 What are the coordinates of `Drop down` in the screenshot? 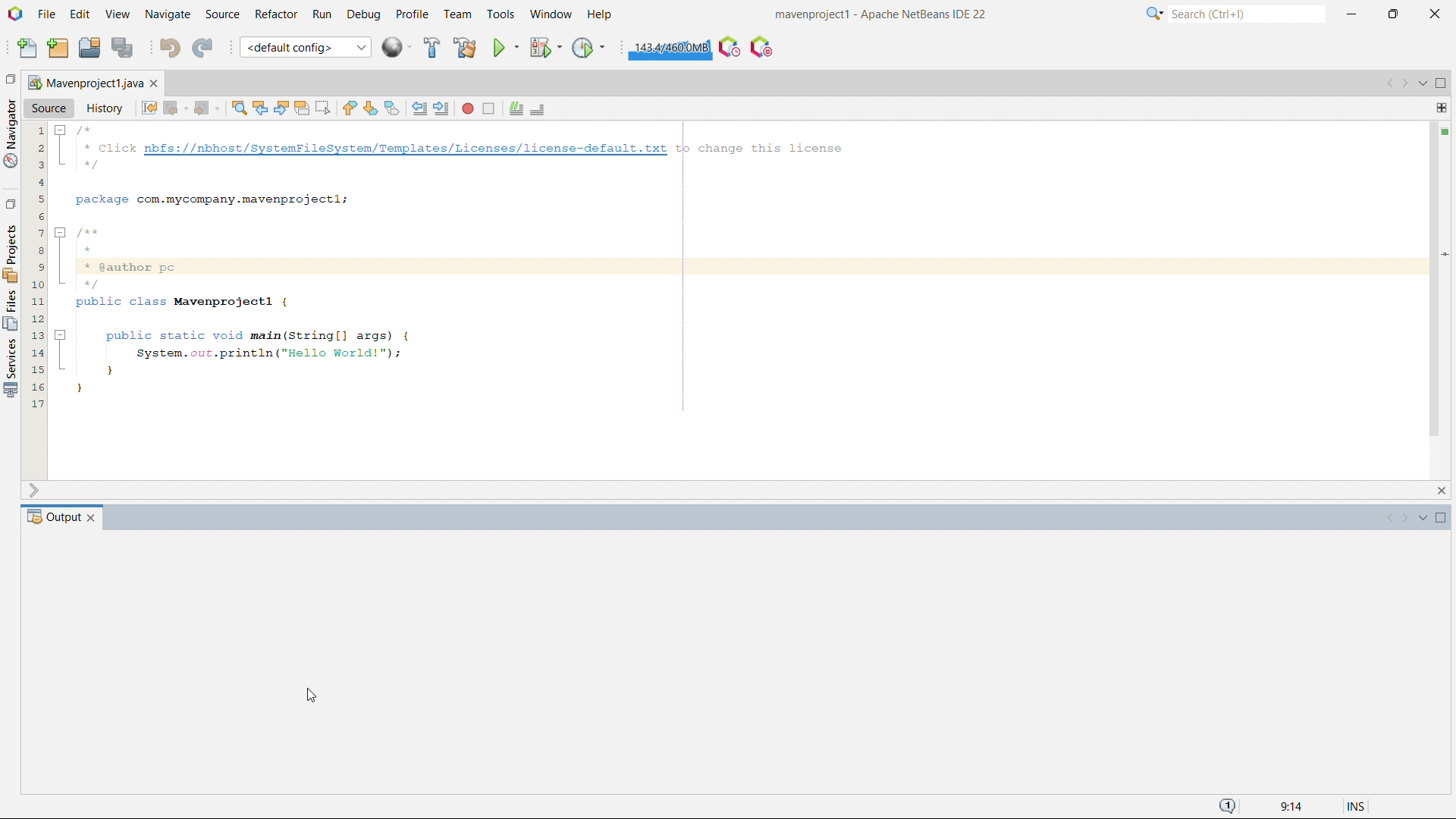 It's located at (1421, 520).